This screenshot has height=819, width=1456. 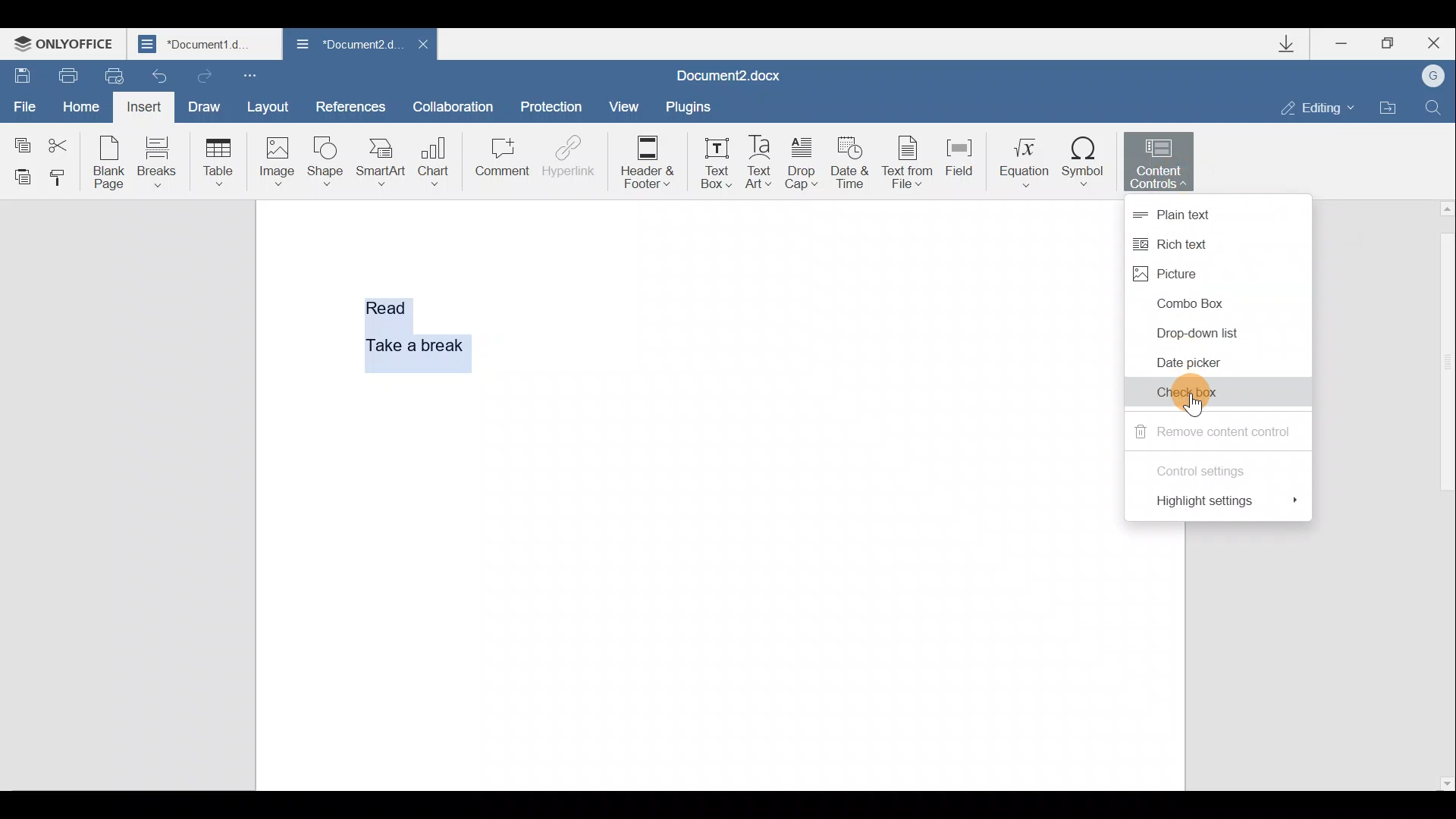 I want to click on Equation, so click(x=1020, y=162).